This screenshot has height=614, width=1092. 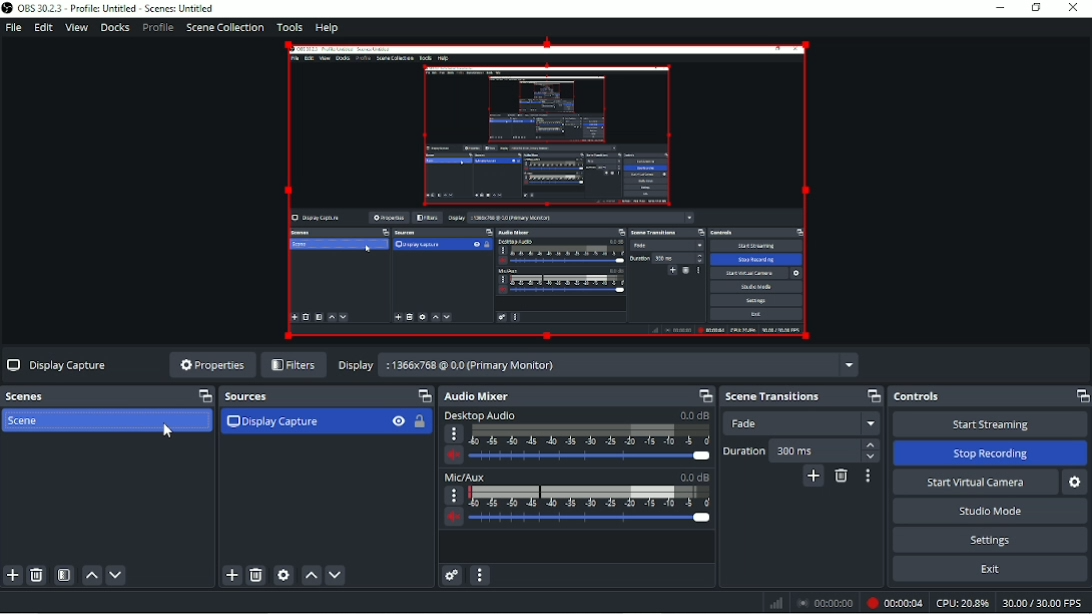 What do you see at coordinates (802, 450) in the screenshot?
I see `Duration 300 ms` at bounding box center [802, 450].